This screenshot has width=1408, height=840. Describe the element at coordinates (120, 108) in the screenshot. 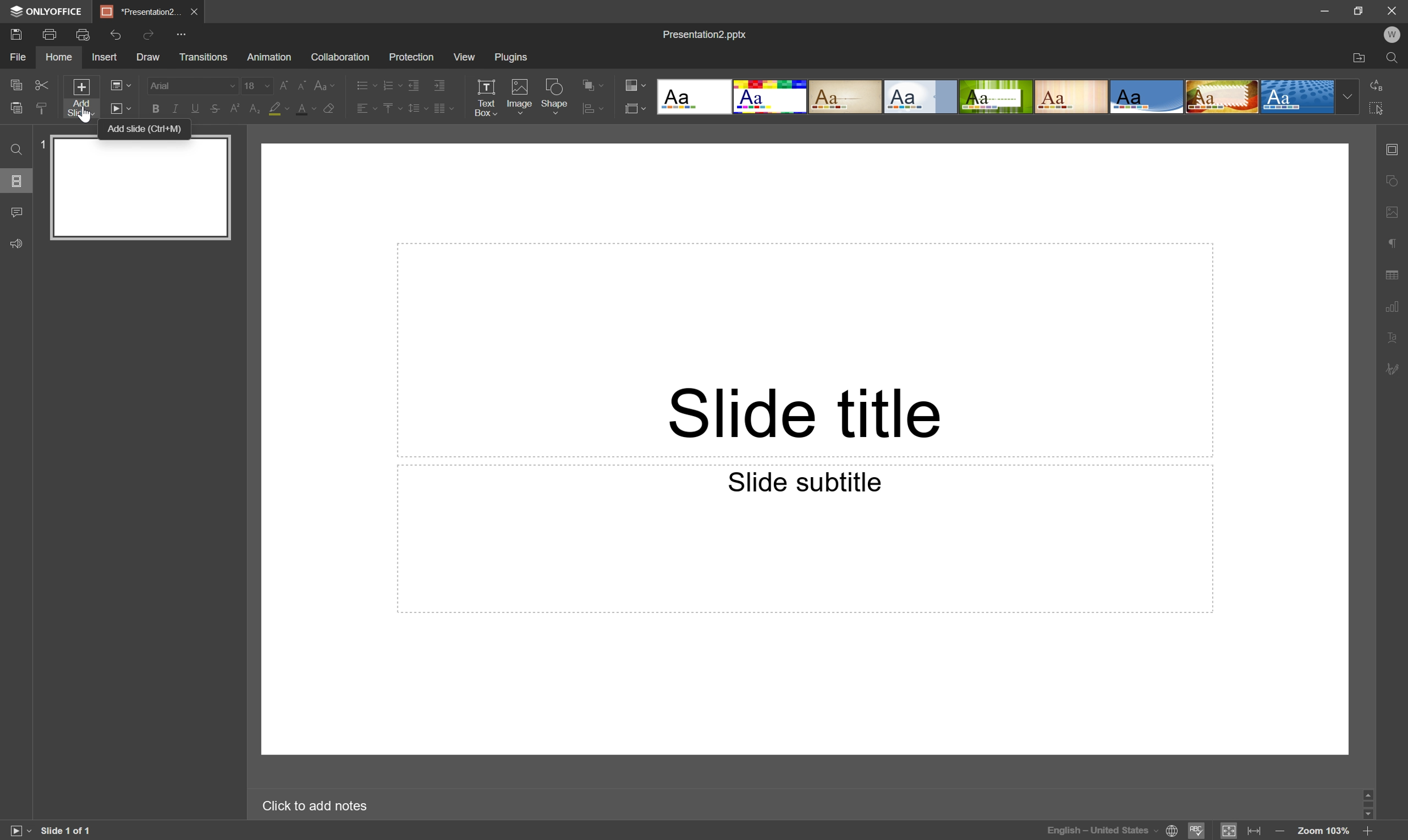

I see `Start slideshow` at that location.